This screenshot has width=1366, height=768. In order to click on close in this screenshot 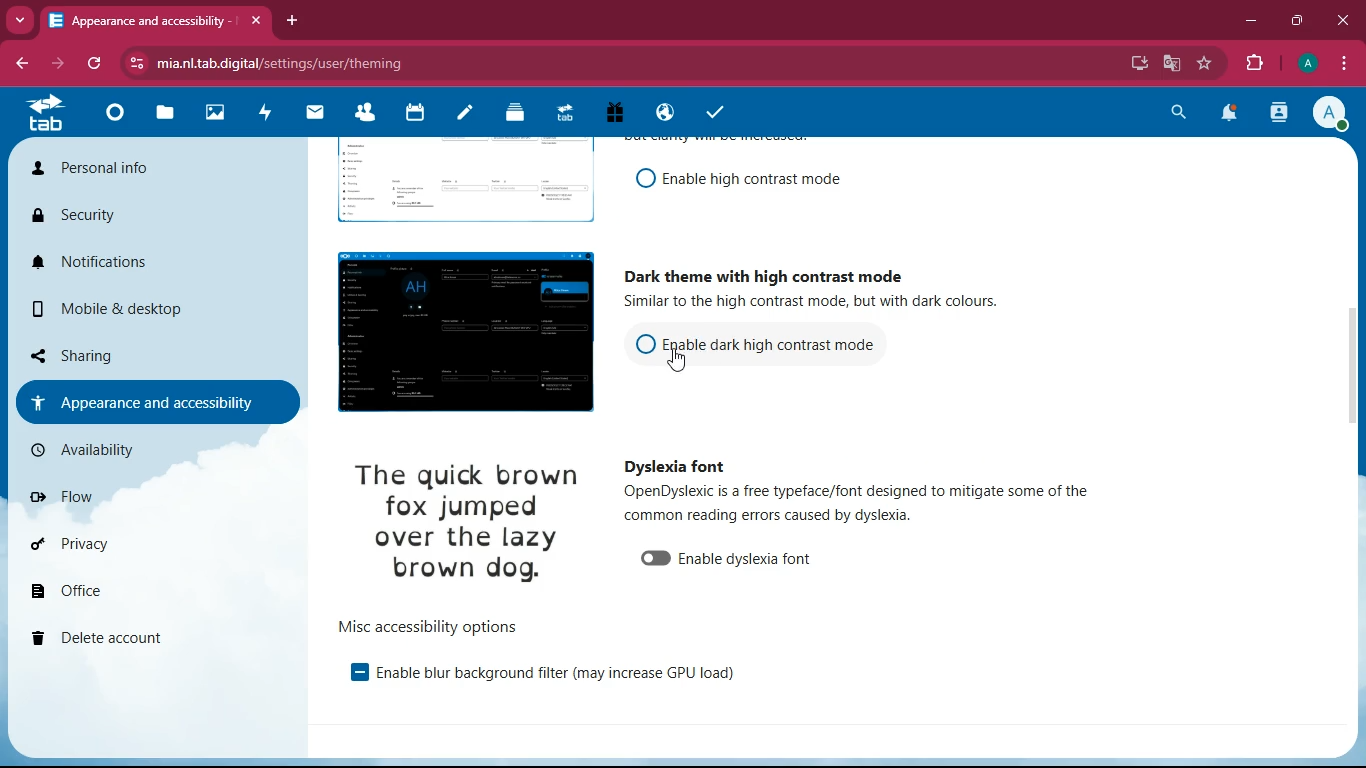, I will do `click(1342, 20)`.